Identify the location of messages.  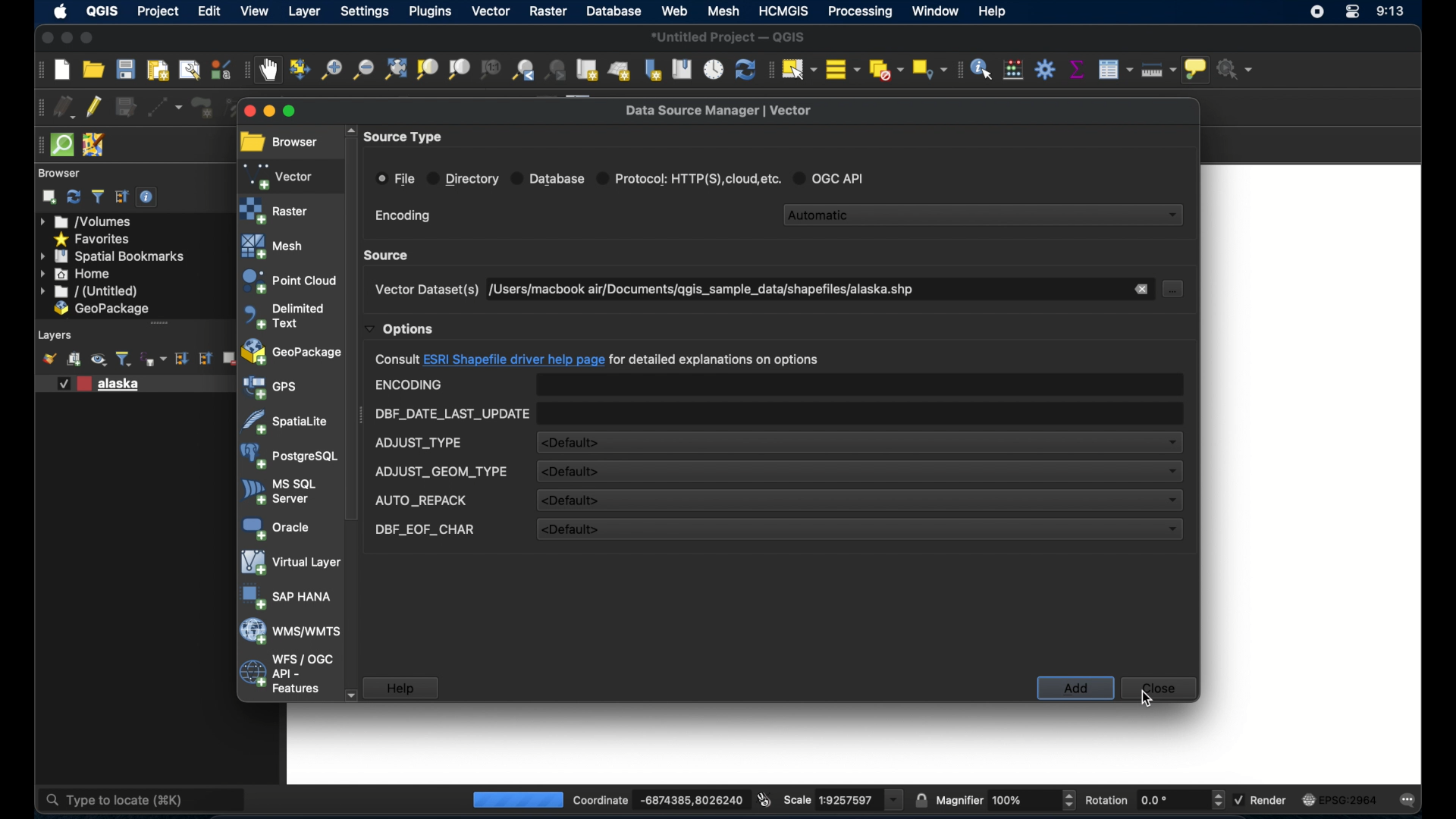
(1411, 801).